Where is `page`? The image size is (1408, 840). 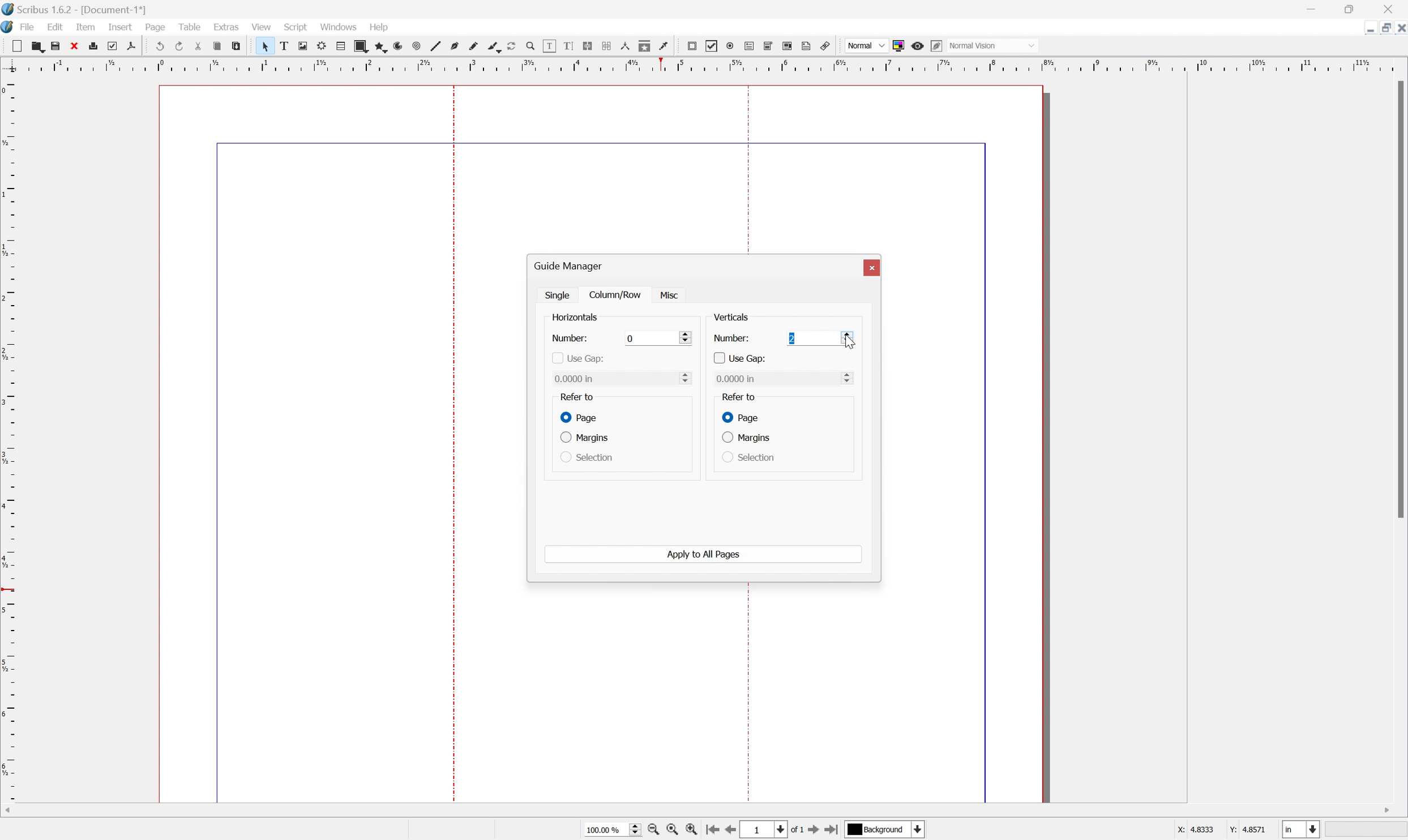
page is located at coordinates (155, 27).